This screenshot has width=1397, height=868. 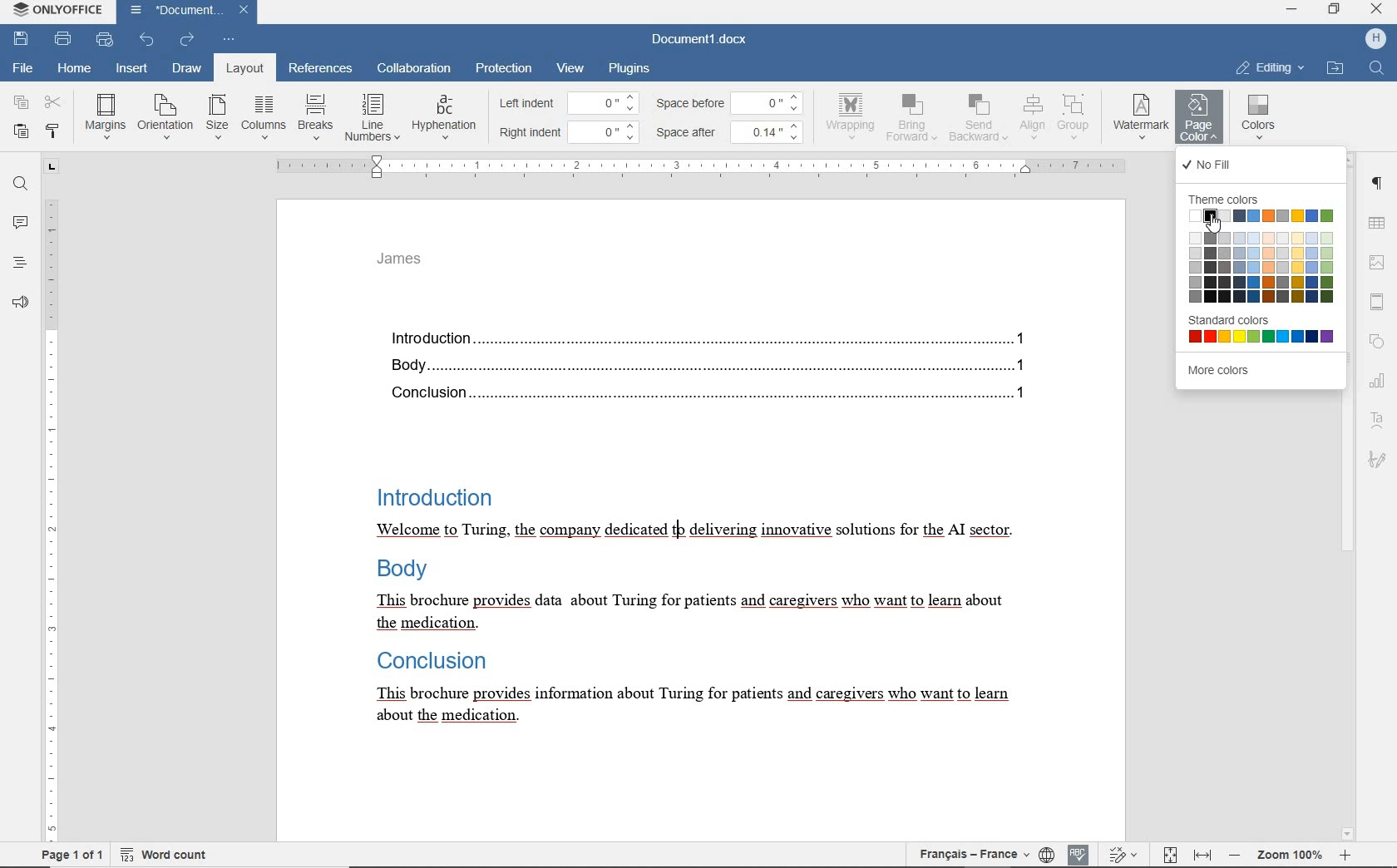 I want to click on page color, so click(x=1201, y=119).